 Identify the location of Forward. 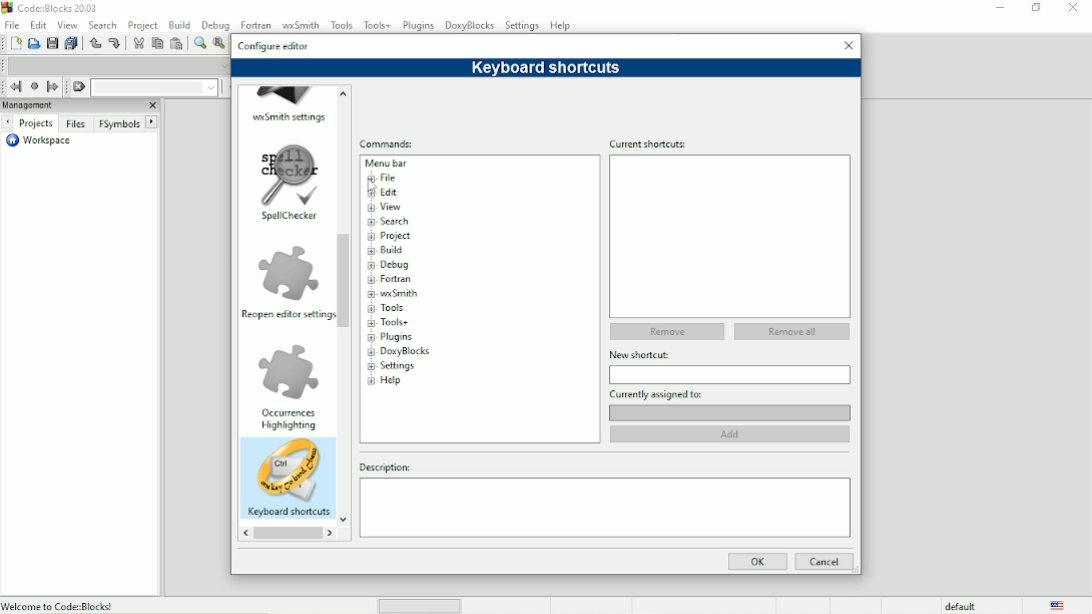
(333, 534).